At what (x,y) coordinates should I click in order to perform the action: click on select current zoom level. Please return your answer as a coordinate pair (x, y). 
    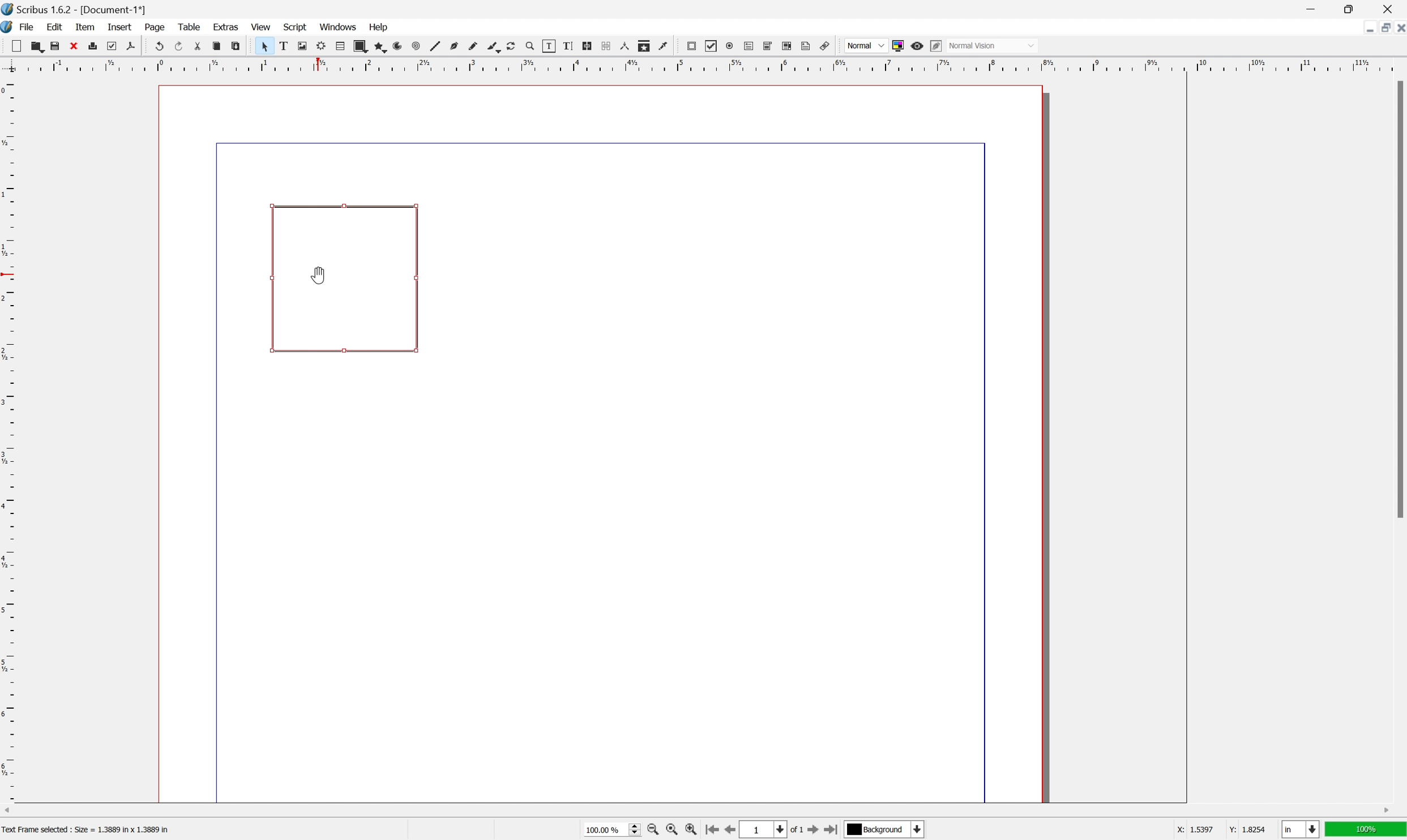
    Looking at the image, I should click on (613, 832).